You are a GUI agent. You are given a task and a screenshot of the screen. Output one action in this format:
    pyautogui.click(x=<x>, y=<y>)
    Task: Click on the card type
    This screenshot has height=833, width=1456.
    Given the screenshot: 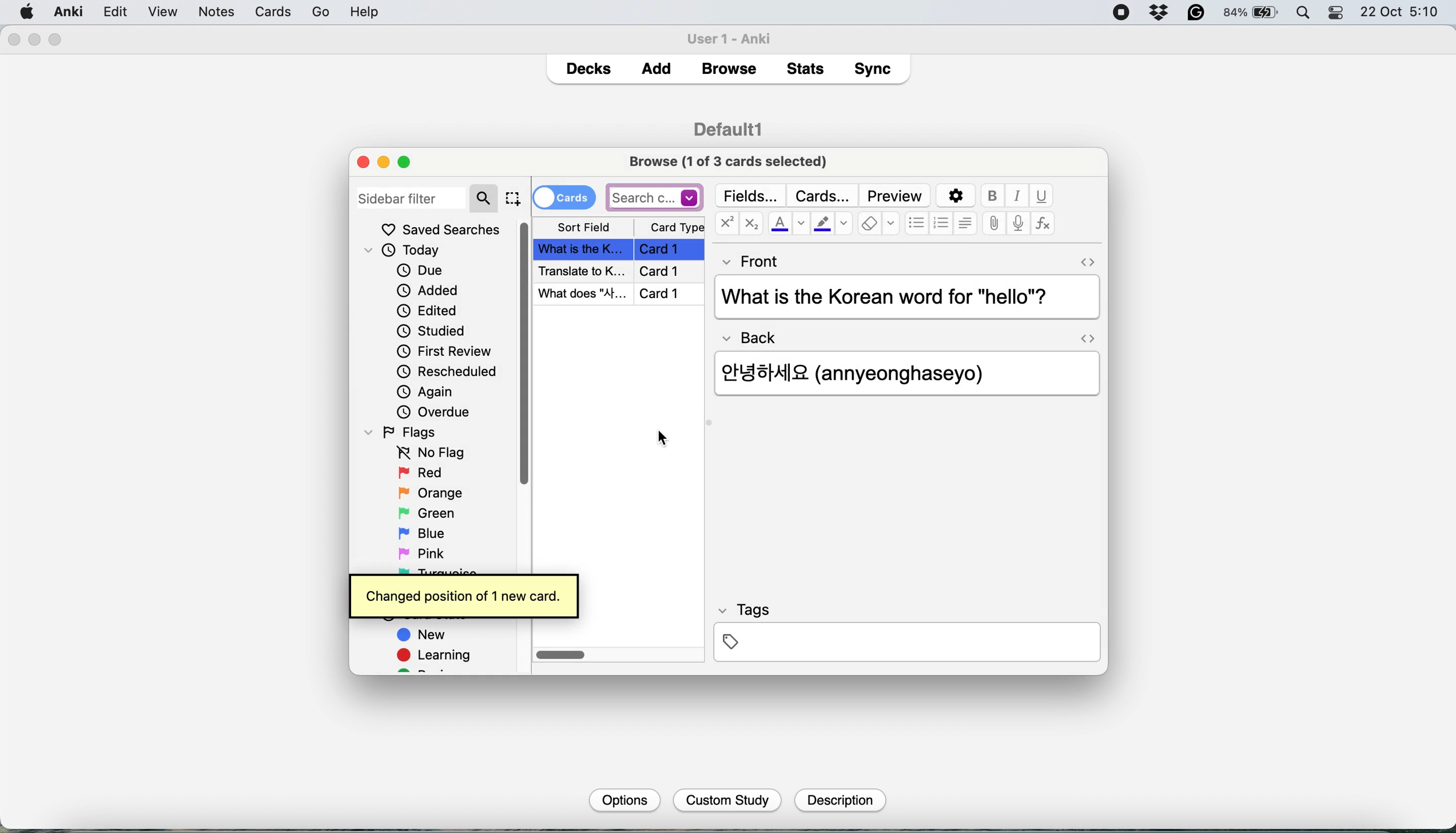 What is the action you would take?
    pyautogui.click(x=675, y=228)
    